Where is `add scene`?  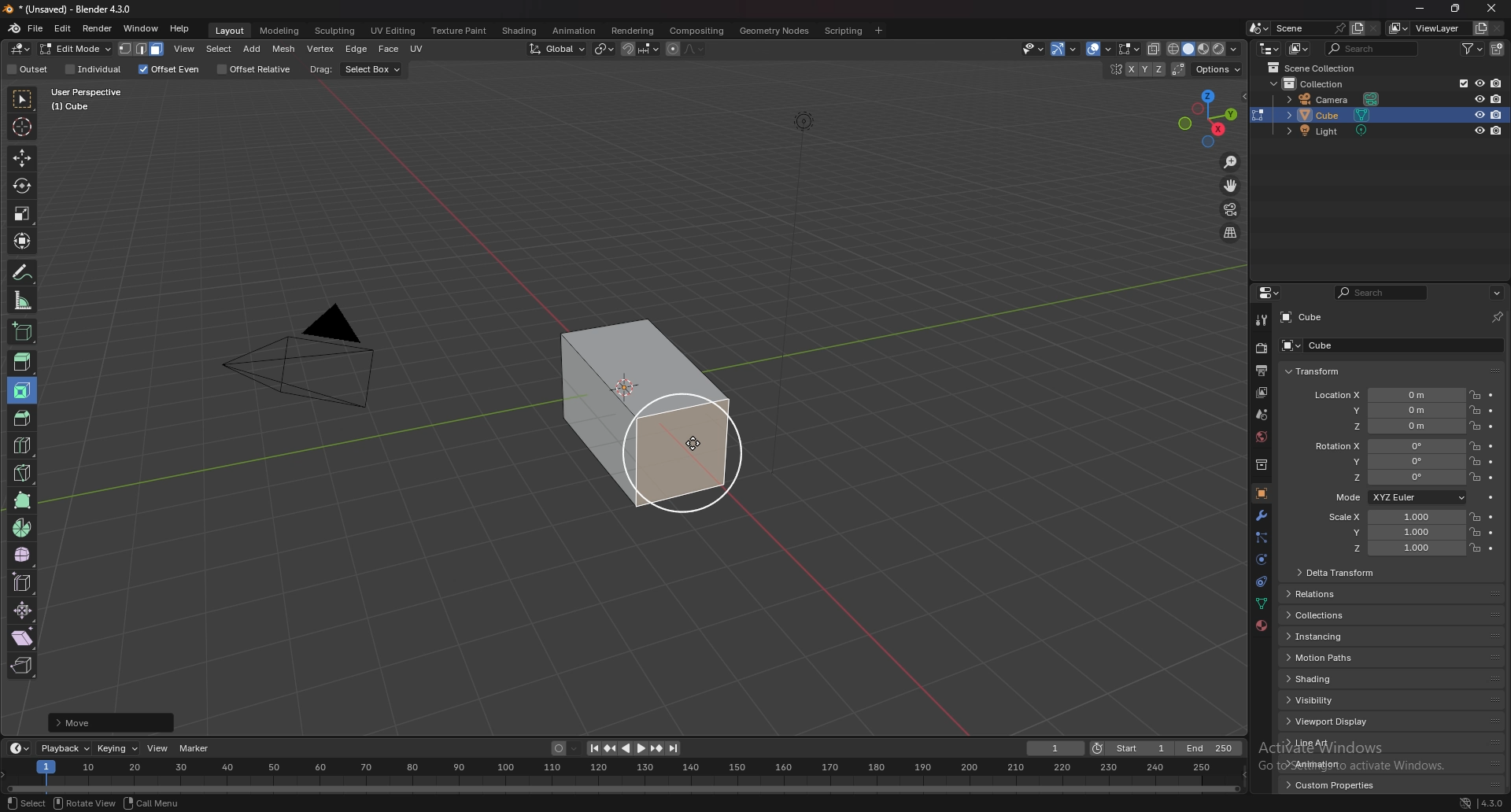
add scene is located at coordinates (1357, 28).